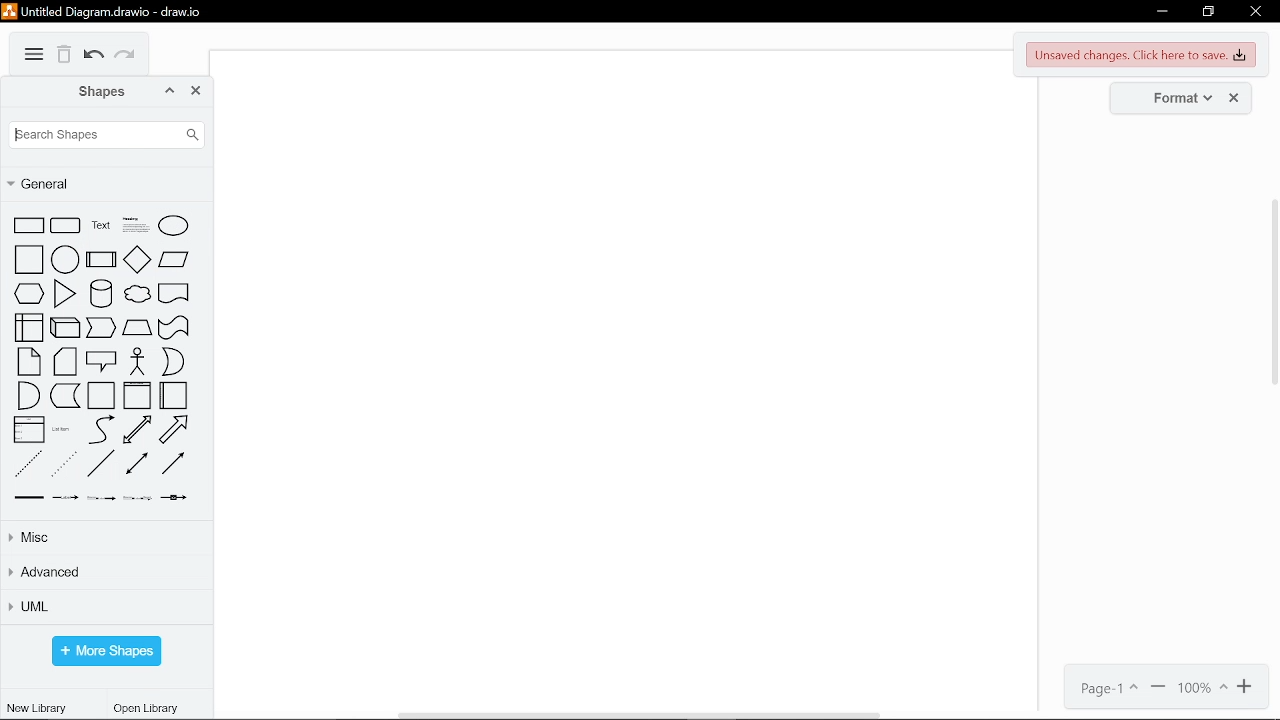 This screenshot has width=1280, height=720. I want to click on minimize, so click(1162, 12).